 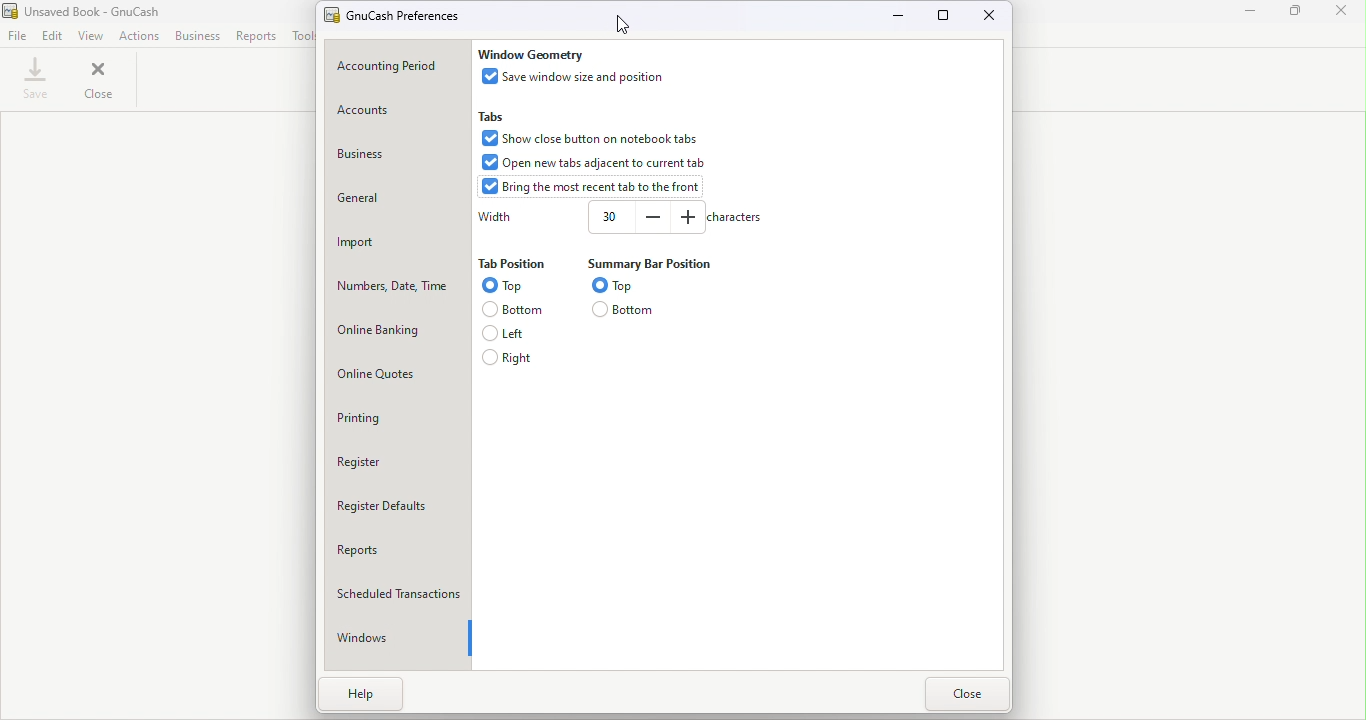 What do you see at coordinates (900, 15) in the screenshot?
I see `Minimize` at bounding box center [900, 15].